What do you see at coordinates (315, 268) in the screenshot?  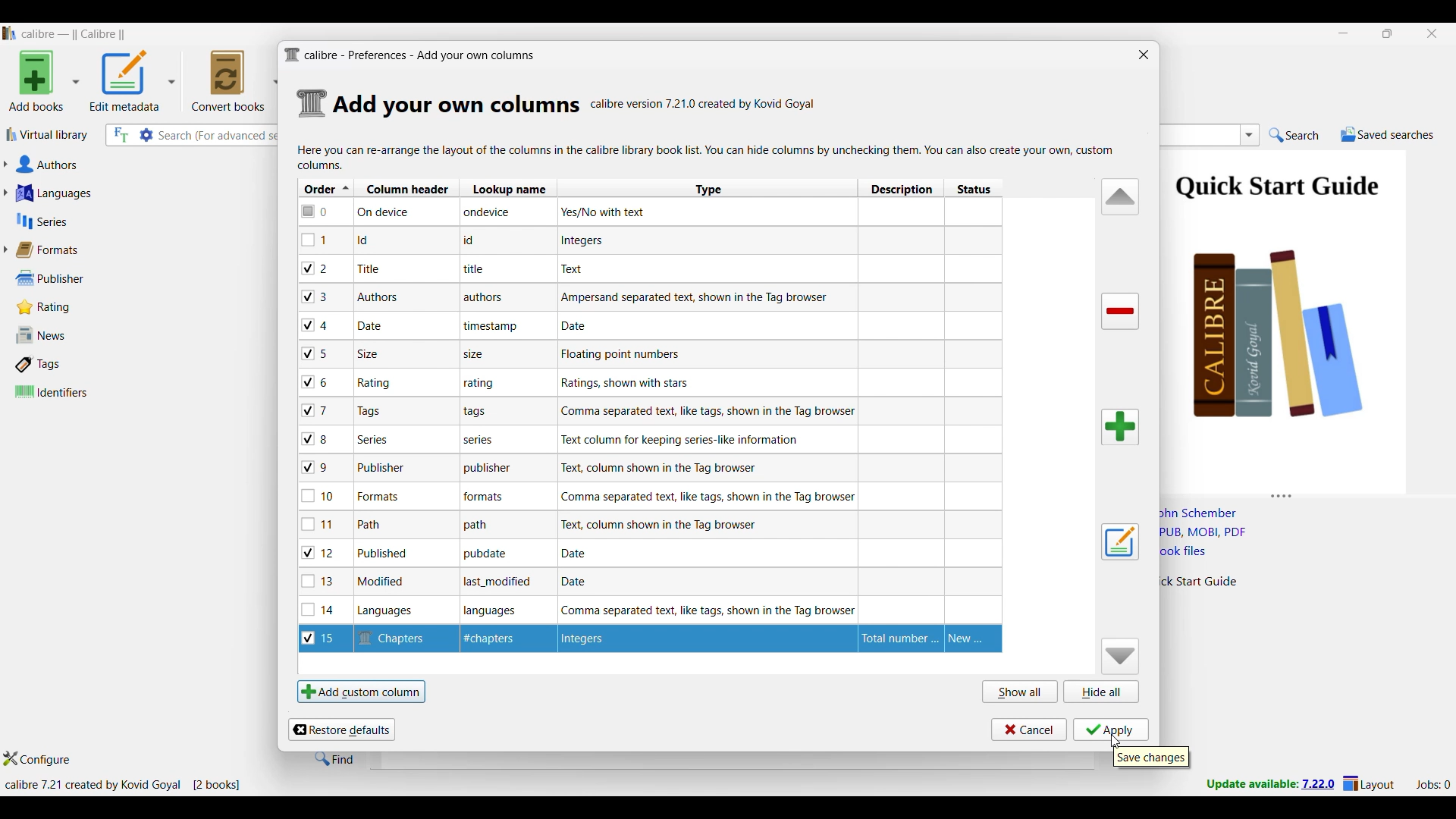 I see `checkbox - 2` at bounding box center [315, 268].